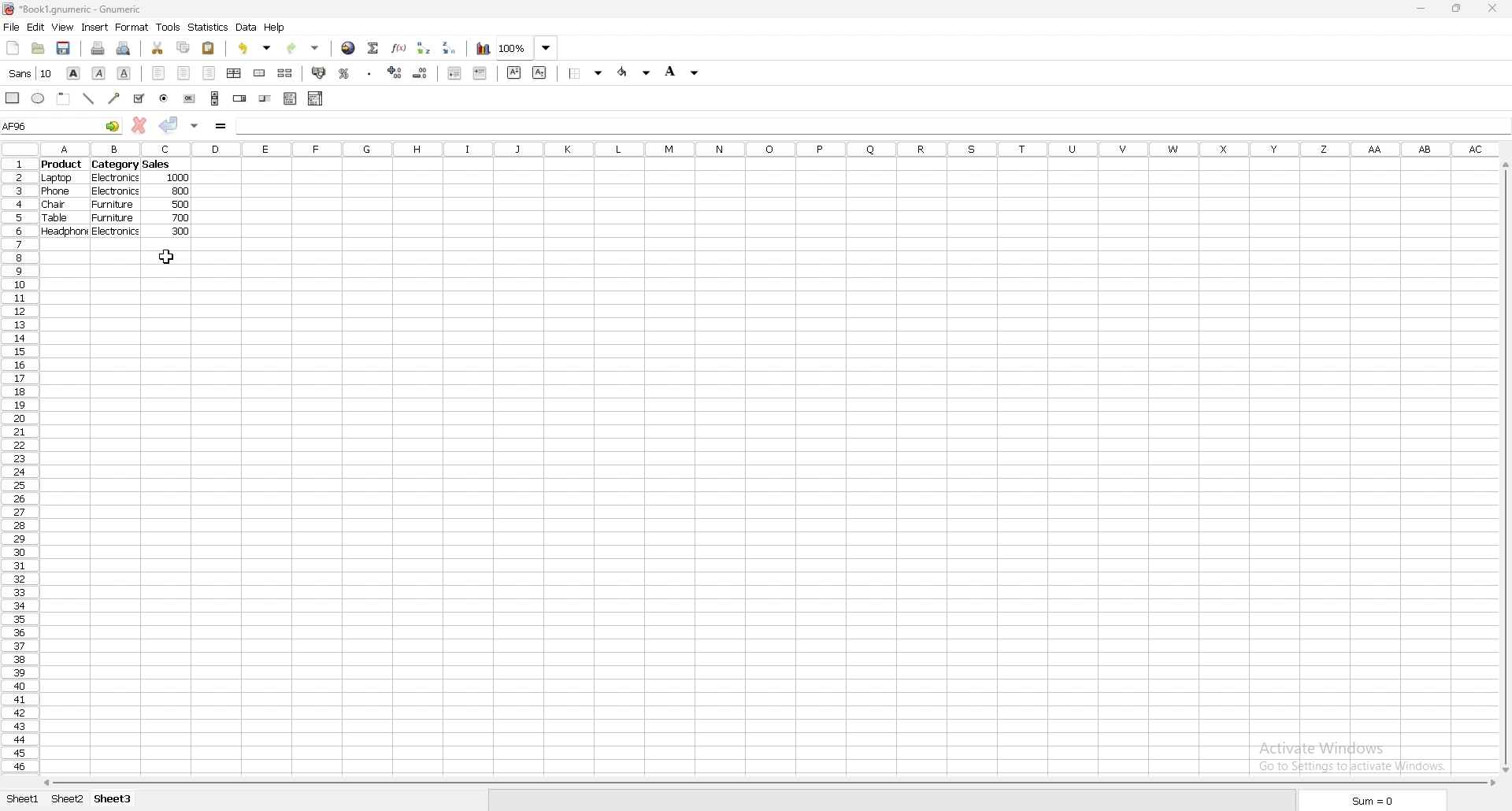 This screenshot has height=811, width=1512. I want to click on increase decimal, so click(395, 74).